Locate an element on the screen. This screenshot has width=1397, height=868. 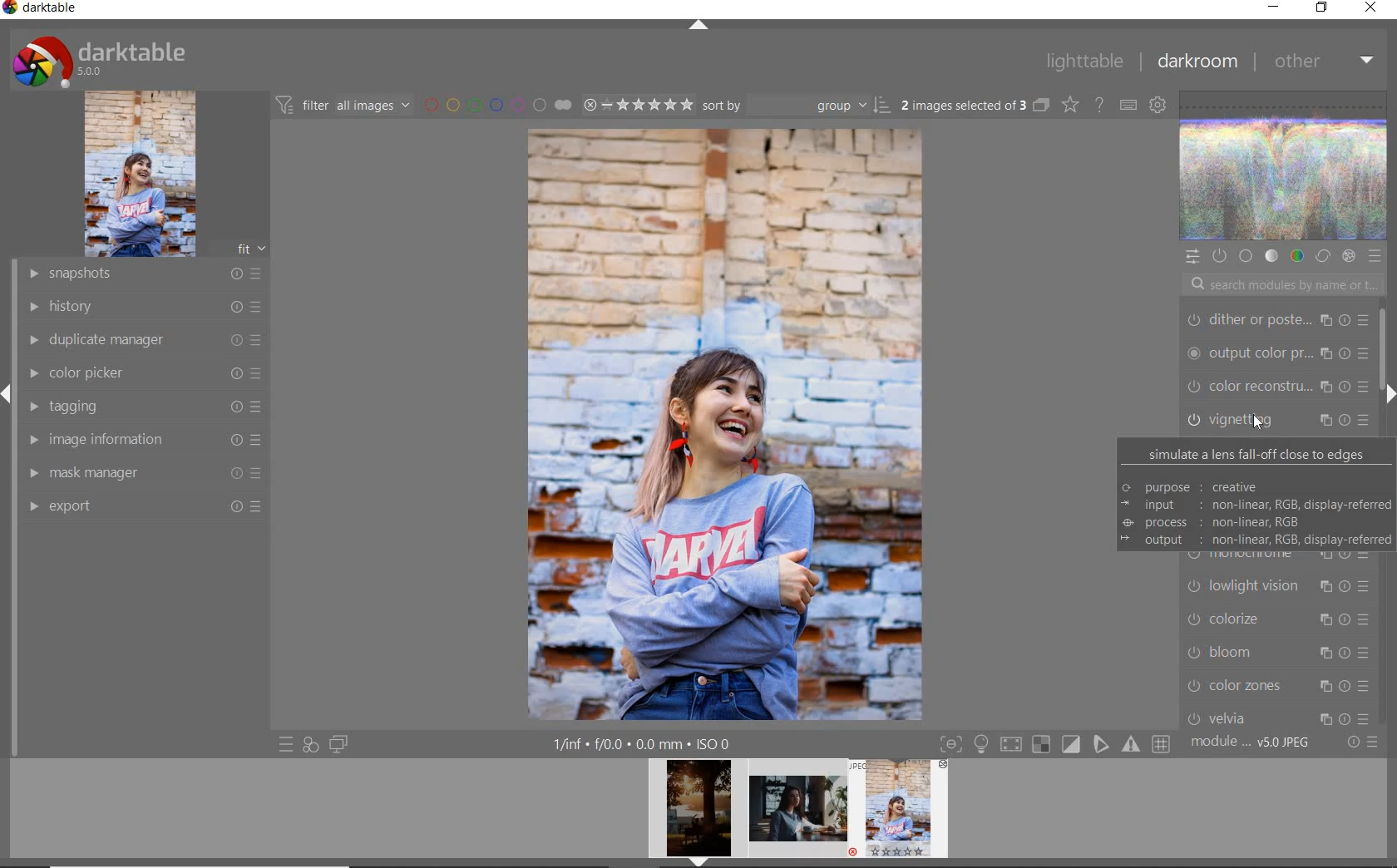
CHANGE TYPE OF OVERLAYS is located at coordinates (1069, 104).